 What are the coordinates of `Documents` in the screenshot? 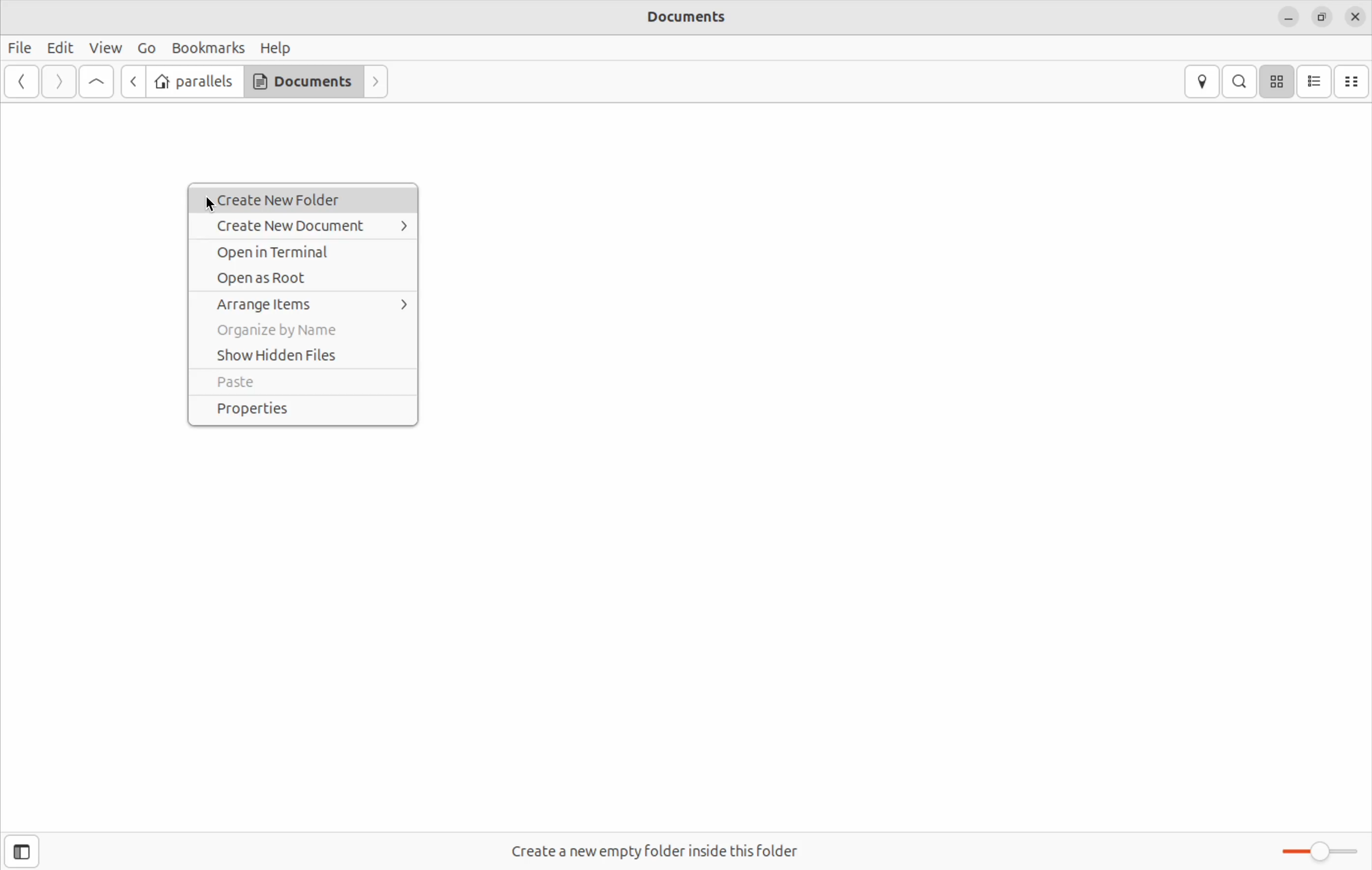 It's located at (685, 18).